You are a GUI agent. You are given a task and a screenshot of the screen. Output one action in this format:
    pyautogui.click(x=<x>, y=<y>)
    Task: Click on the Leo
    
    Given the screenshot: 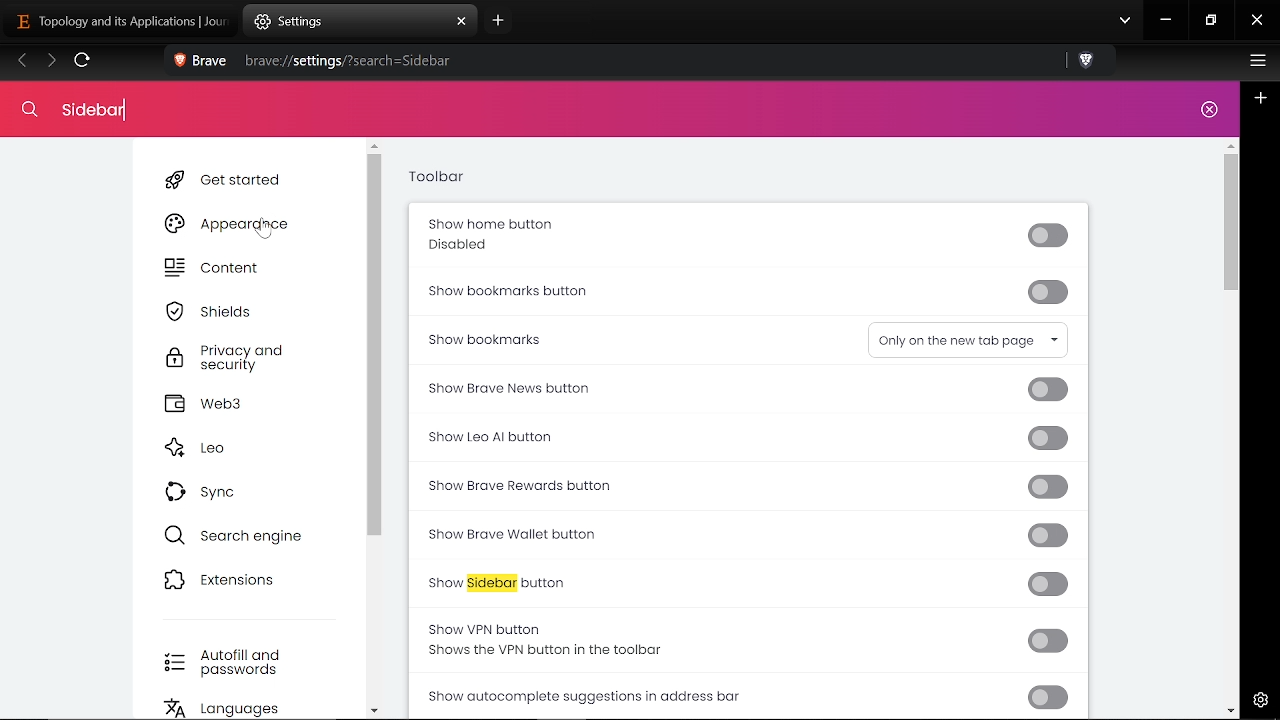 What is the action you would take?
    pyautogui.click(x=226, y=449)
    